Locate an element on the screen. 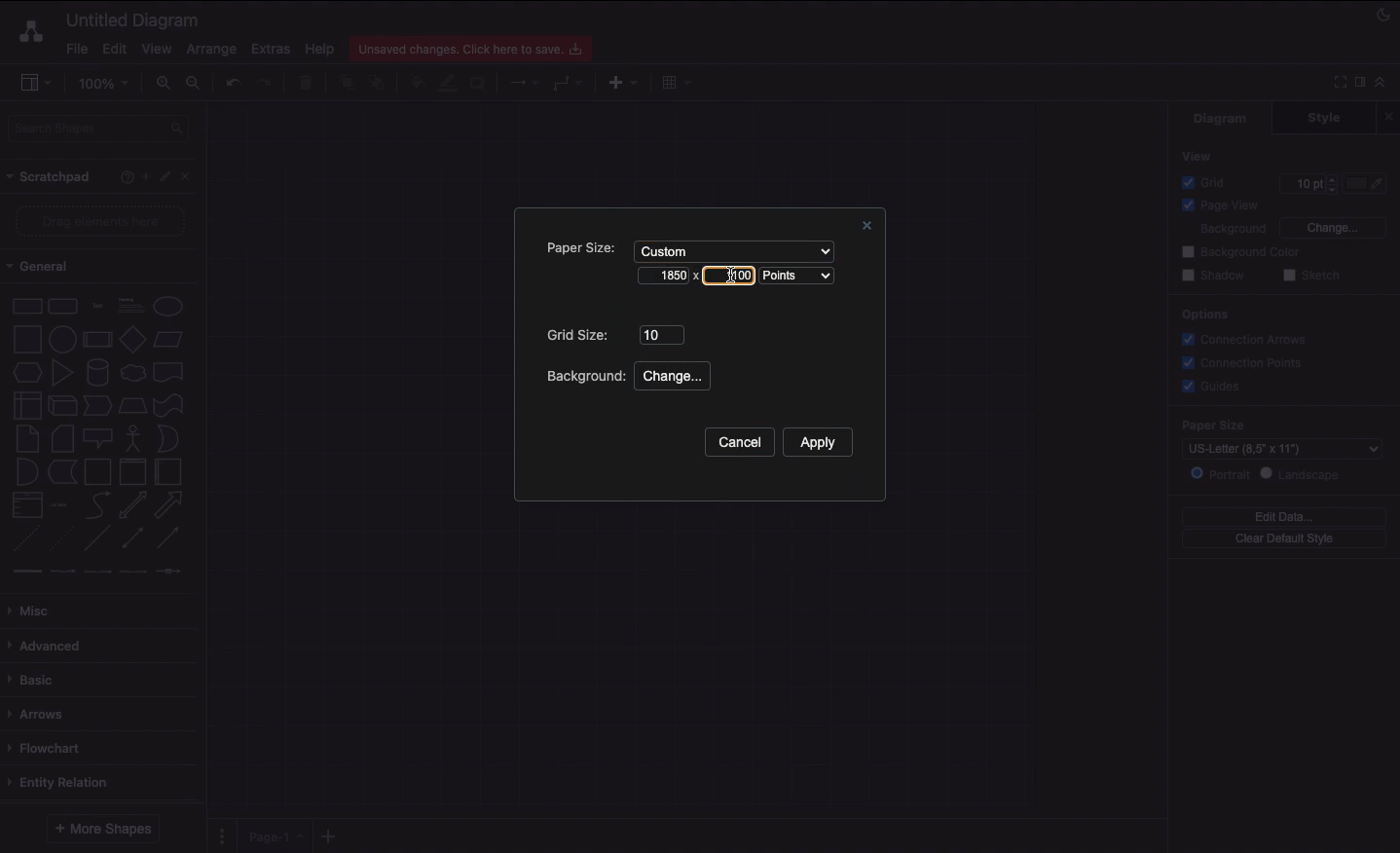  Note is located at coordinates (25, 439).